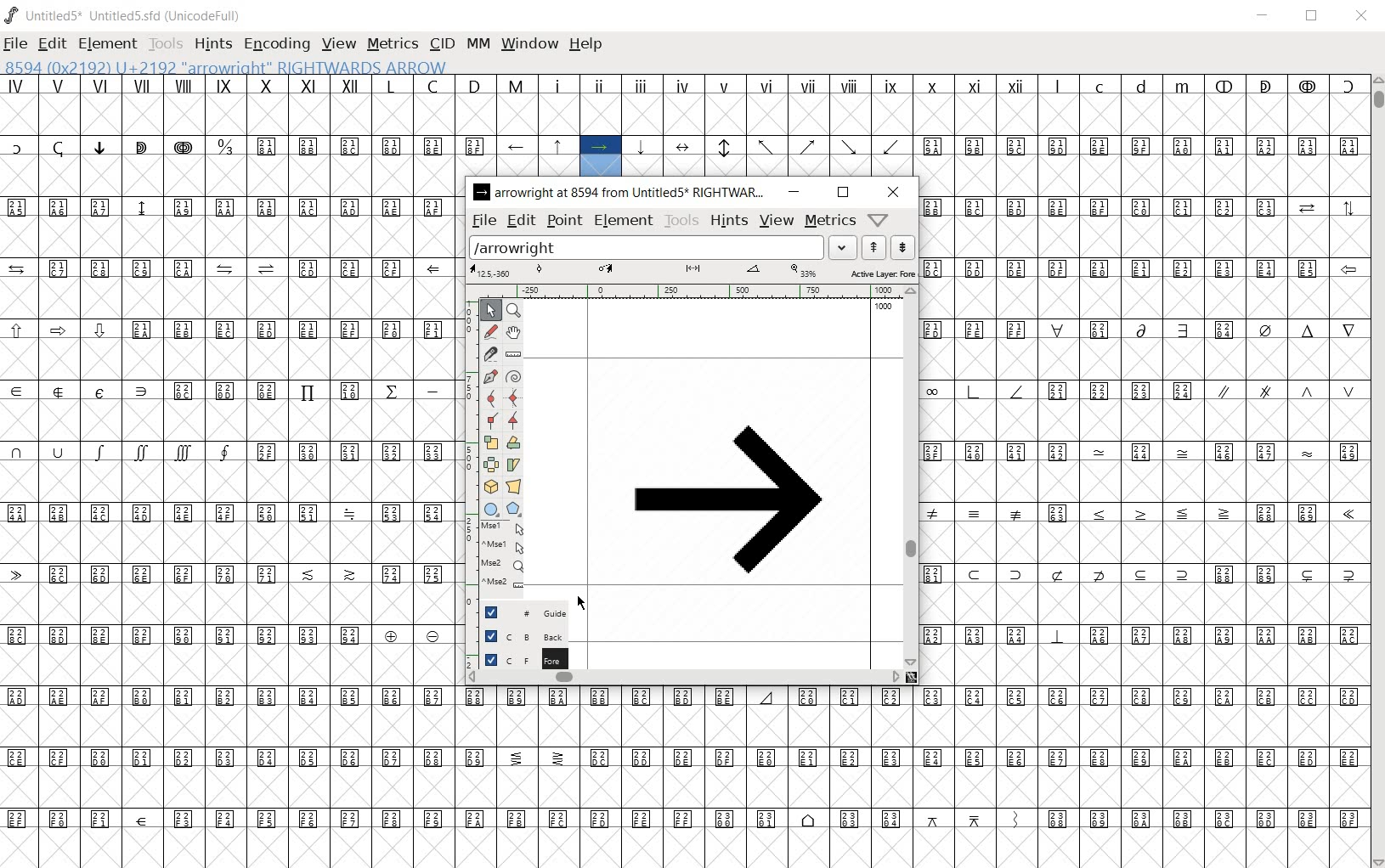 This screenshot has width=1385, height=868. Describe the element at coordinates (516, 635) in the screenshot. I see `background` at that location.